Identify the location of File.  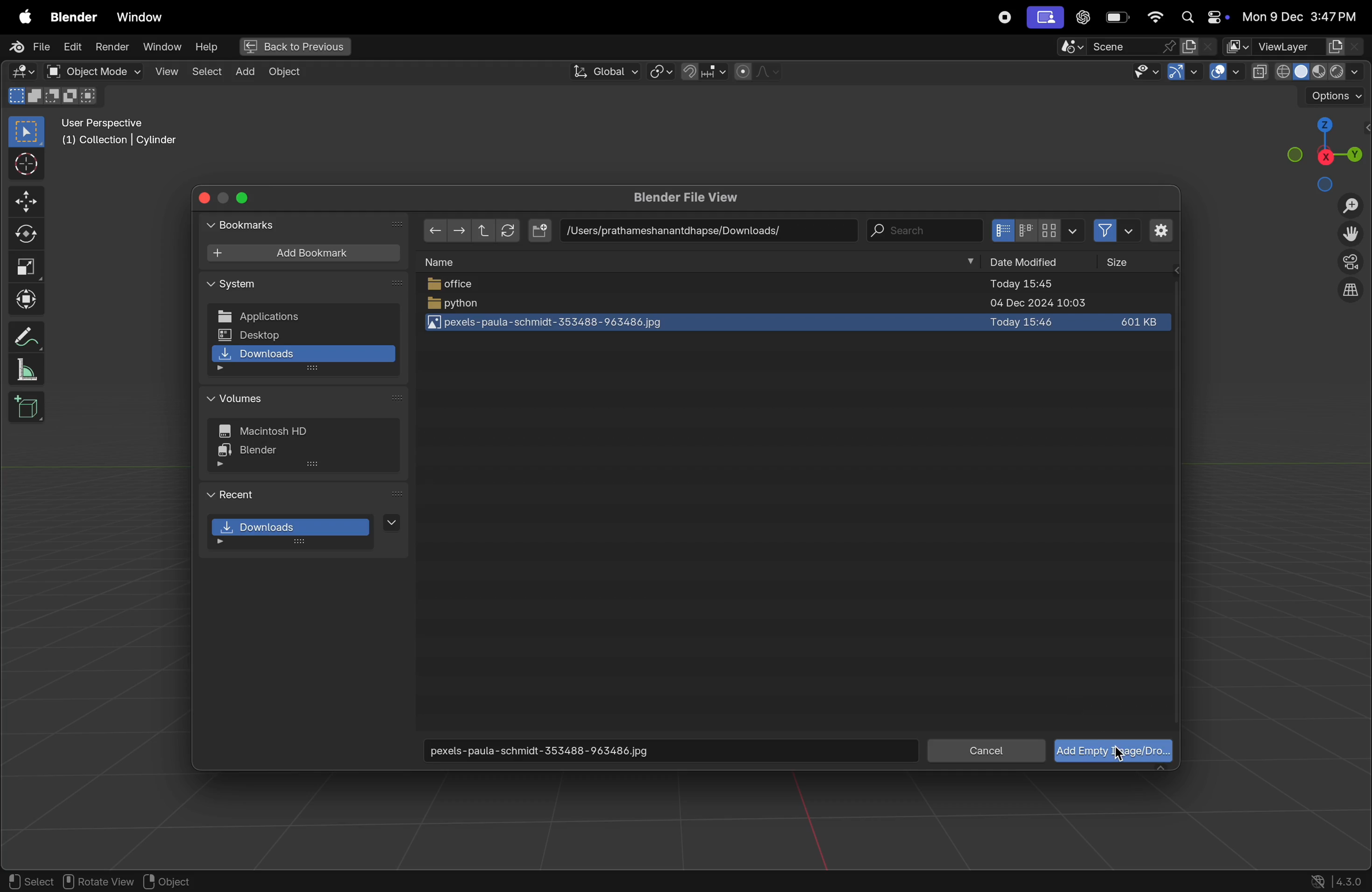
(26, 47).